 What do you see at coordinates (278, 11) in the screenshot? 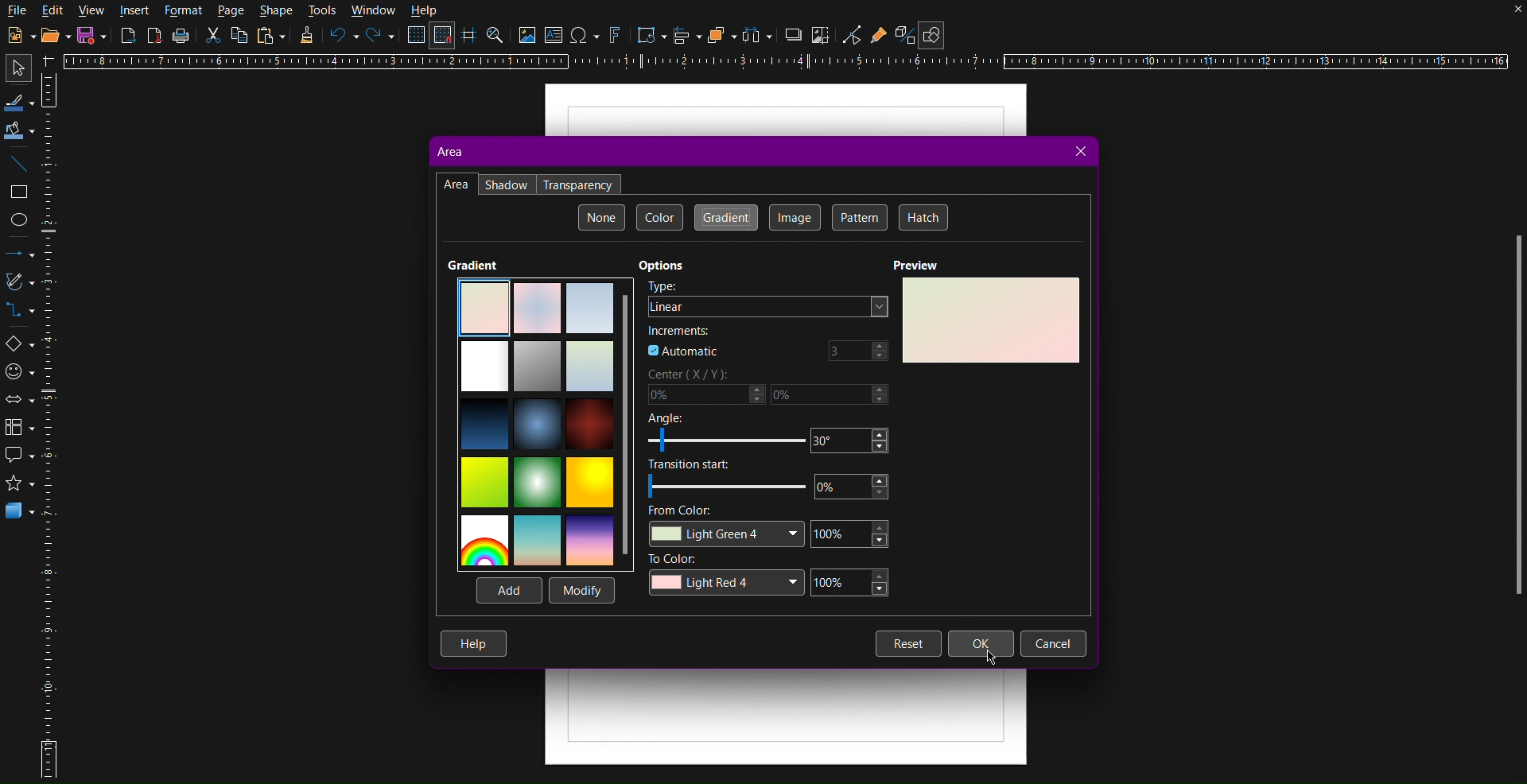
I see `Shape` at bounding box center [278, 11].